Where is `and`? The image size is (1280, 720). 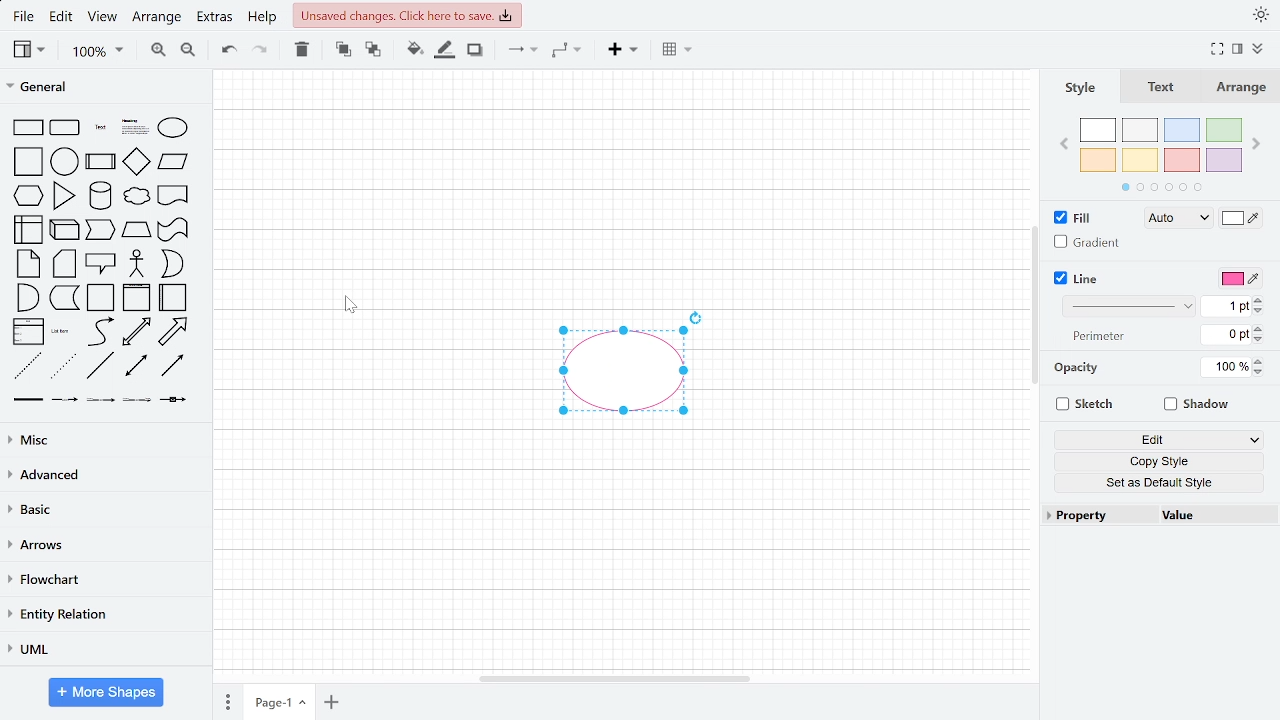
and is located at coordinates (30, 296).